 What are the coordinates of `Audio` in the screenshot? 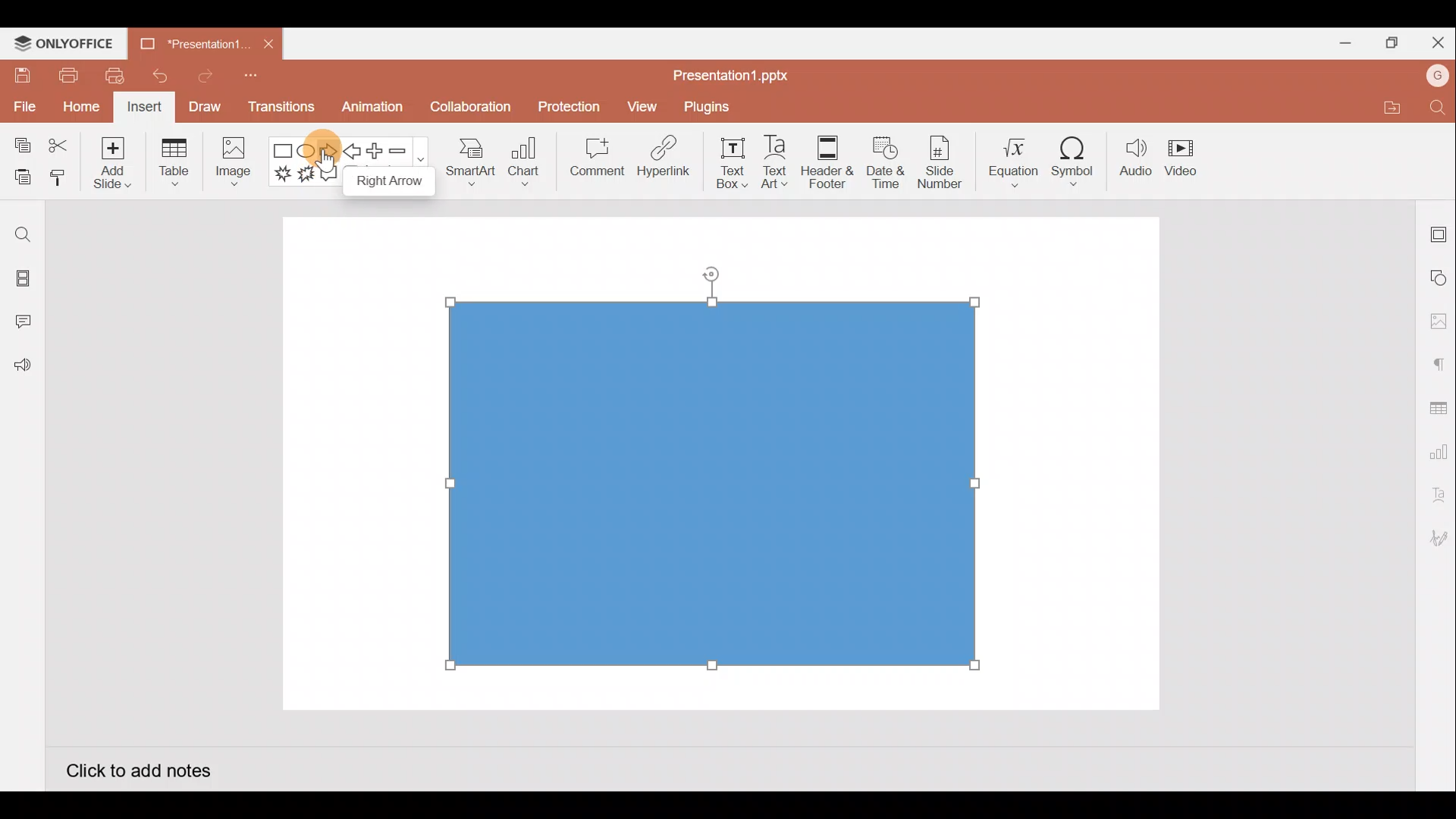 It's located at (1136, 158).